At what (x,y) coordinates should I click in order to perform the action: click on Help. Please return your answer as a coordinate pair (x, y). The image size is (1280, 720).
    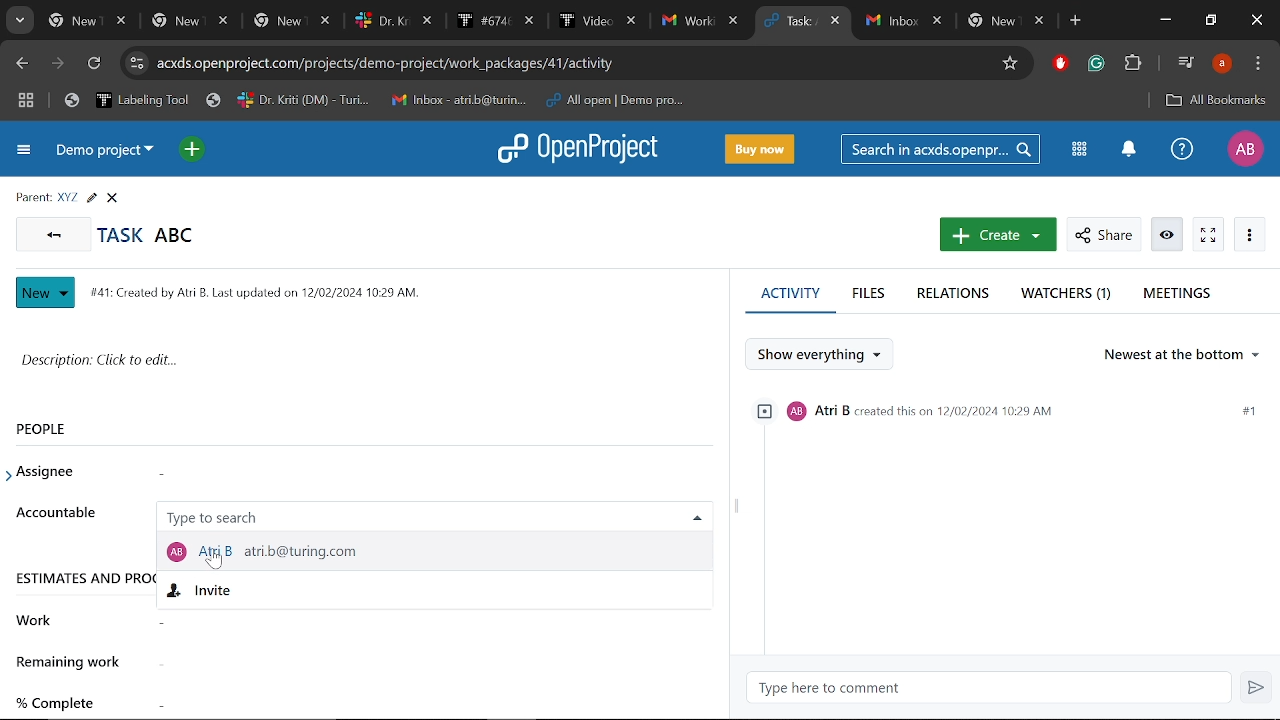
    Looking at the image, I should click on (1182, 150).